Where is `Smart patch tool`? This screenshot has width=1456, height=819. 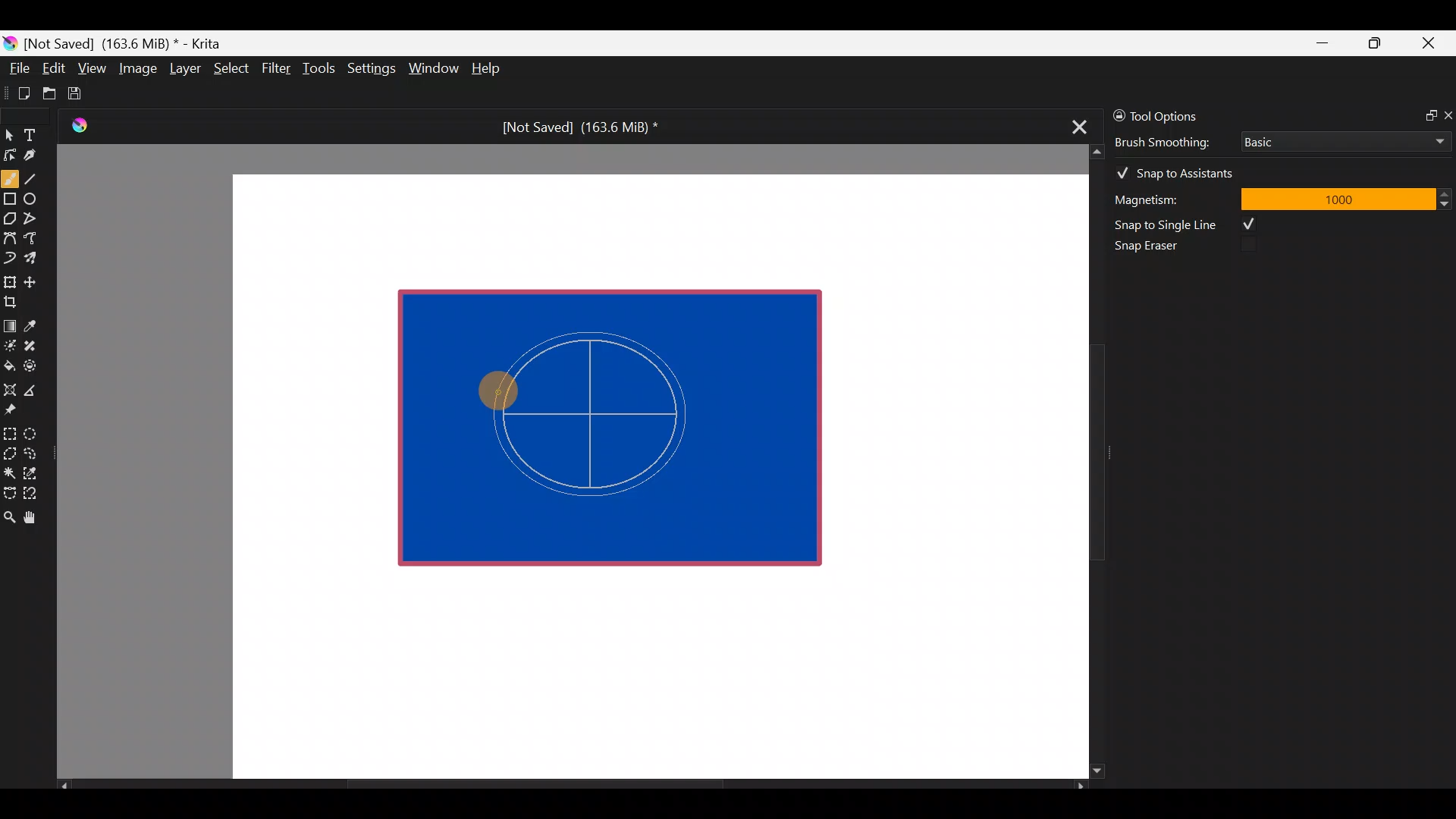
Smart patch tool is located at coordinates (35, 345).